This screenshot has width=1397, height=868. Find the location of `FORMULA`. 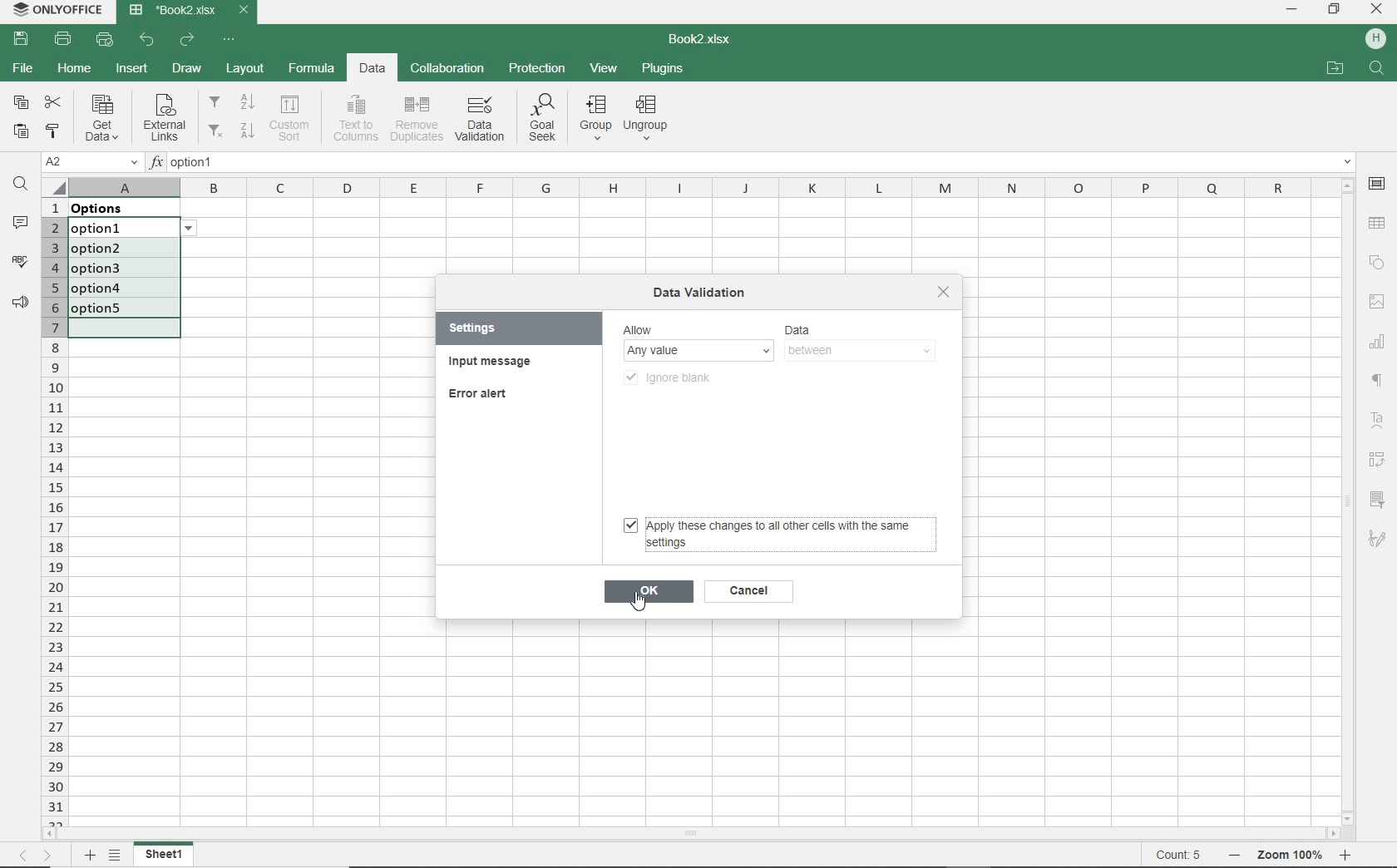

FORMULA is located at coordinates (309, 70).